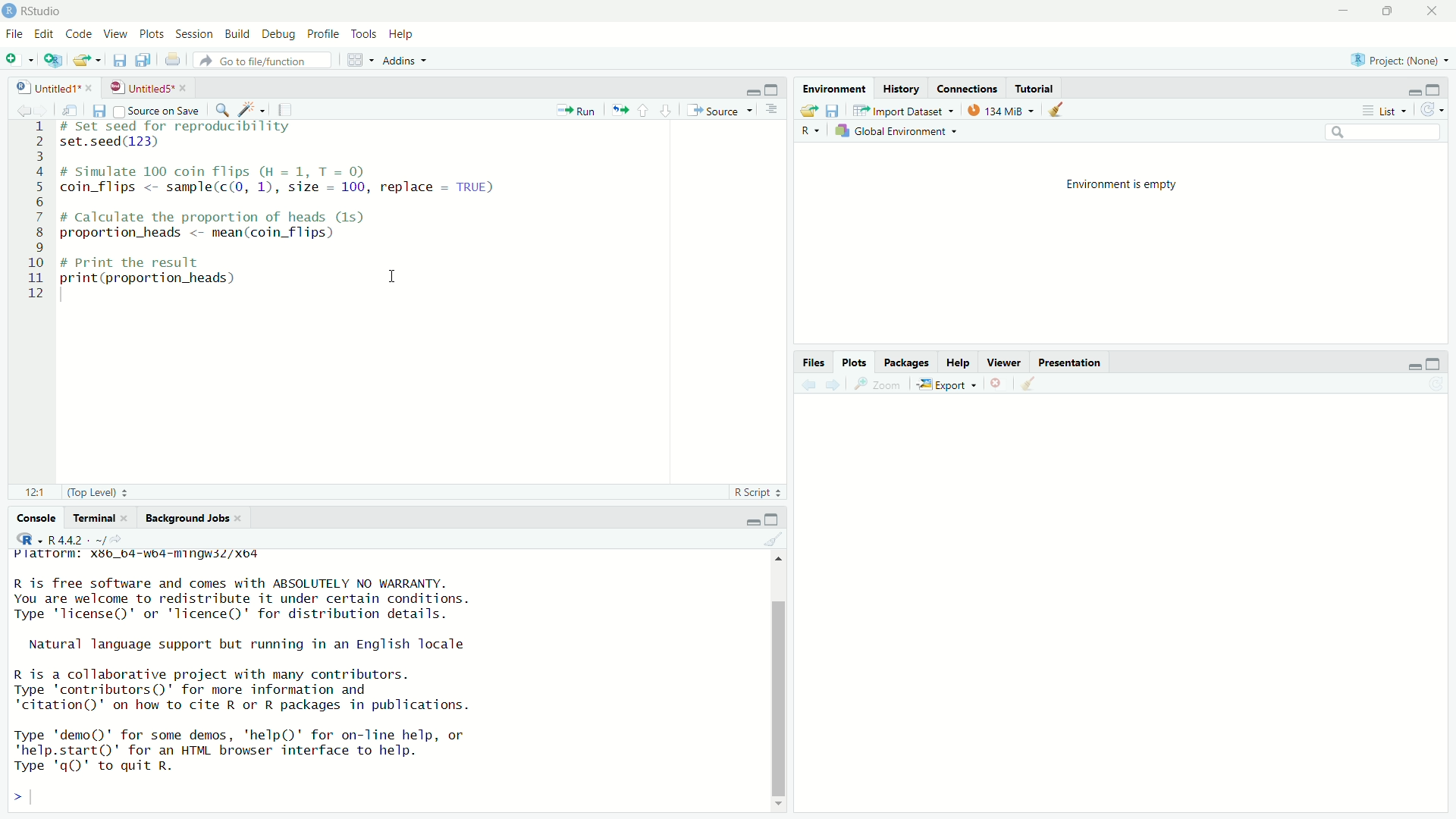 This screenshot has width=1456, height=819. Describe the element at coordinates (896, 130) in the screenshot. I see `global environment` at that location.